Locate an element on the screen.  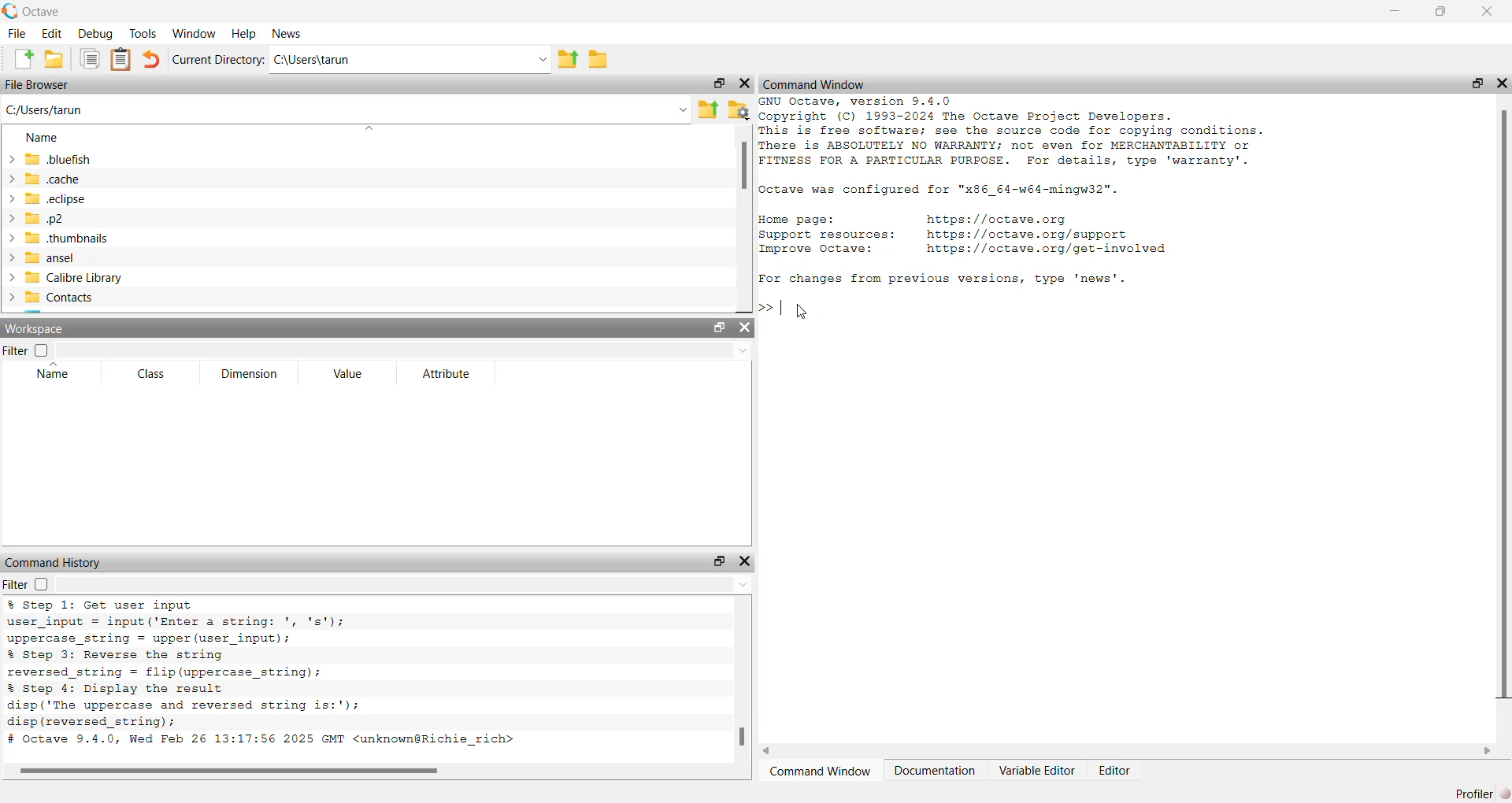
prompt cursor is located at coordinates (761, 306).